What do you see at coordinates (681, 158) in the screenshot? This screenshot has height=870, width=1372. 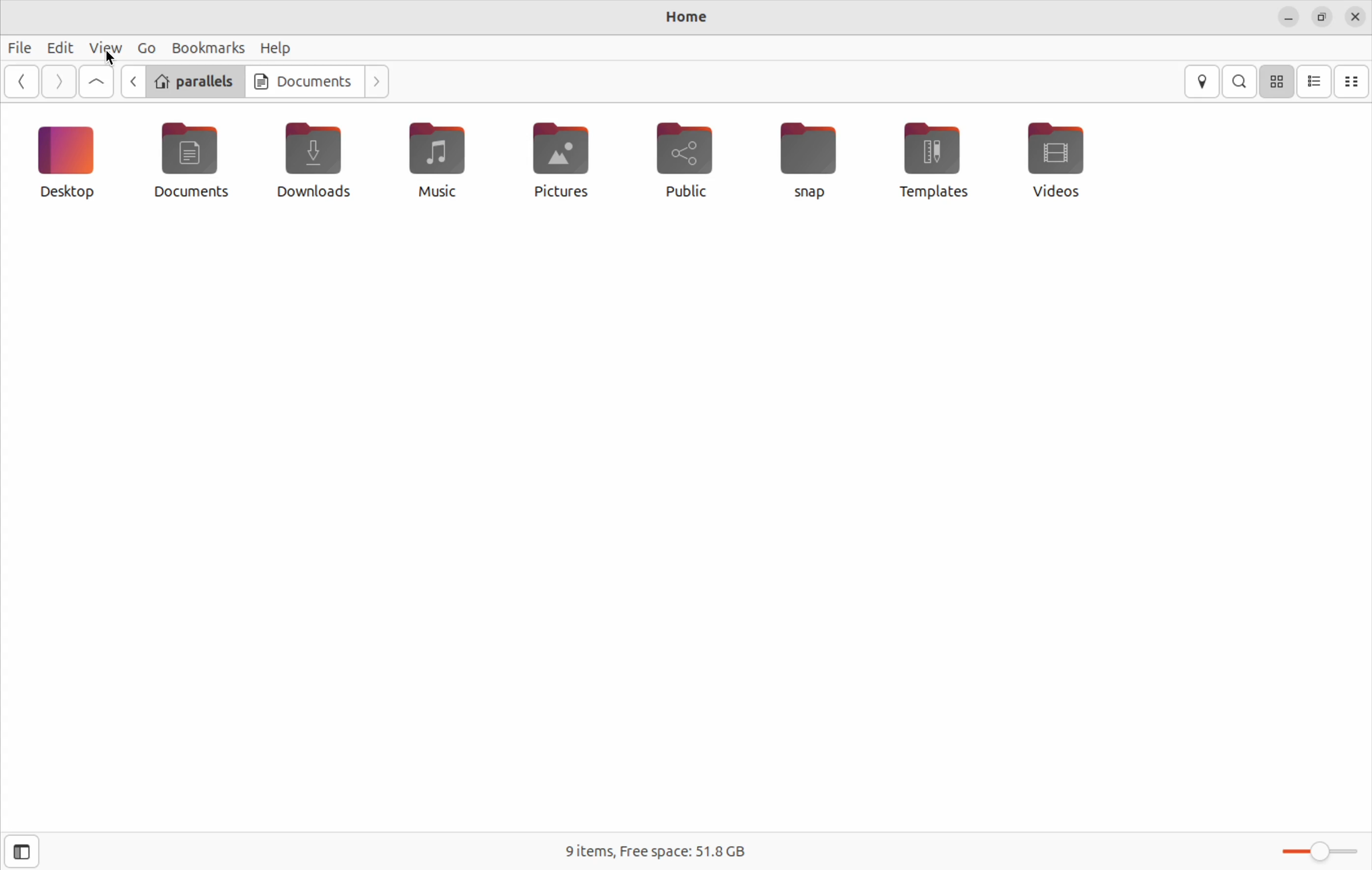 I see `public` at bounding box center [681, 158].